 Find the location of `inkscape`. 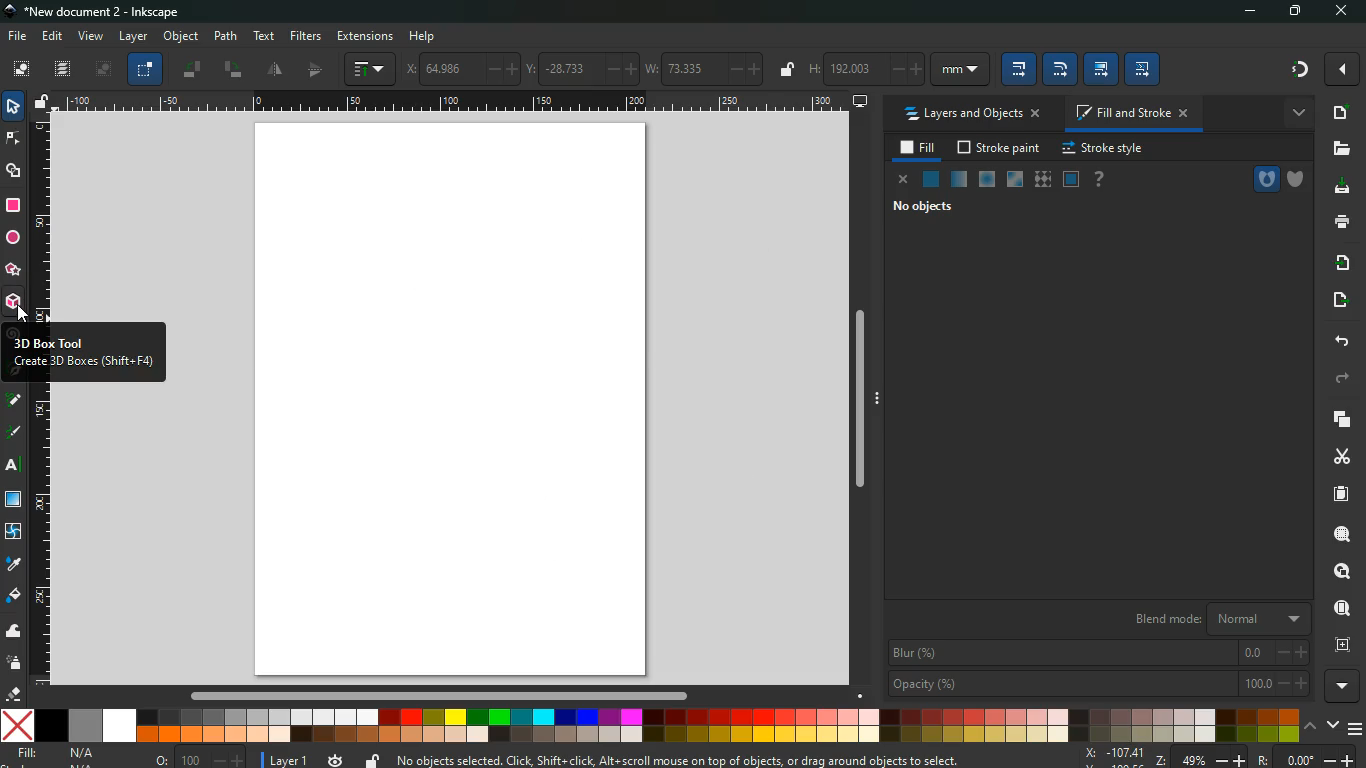

inkscape is located at coordinates (98, 13).